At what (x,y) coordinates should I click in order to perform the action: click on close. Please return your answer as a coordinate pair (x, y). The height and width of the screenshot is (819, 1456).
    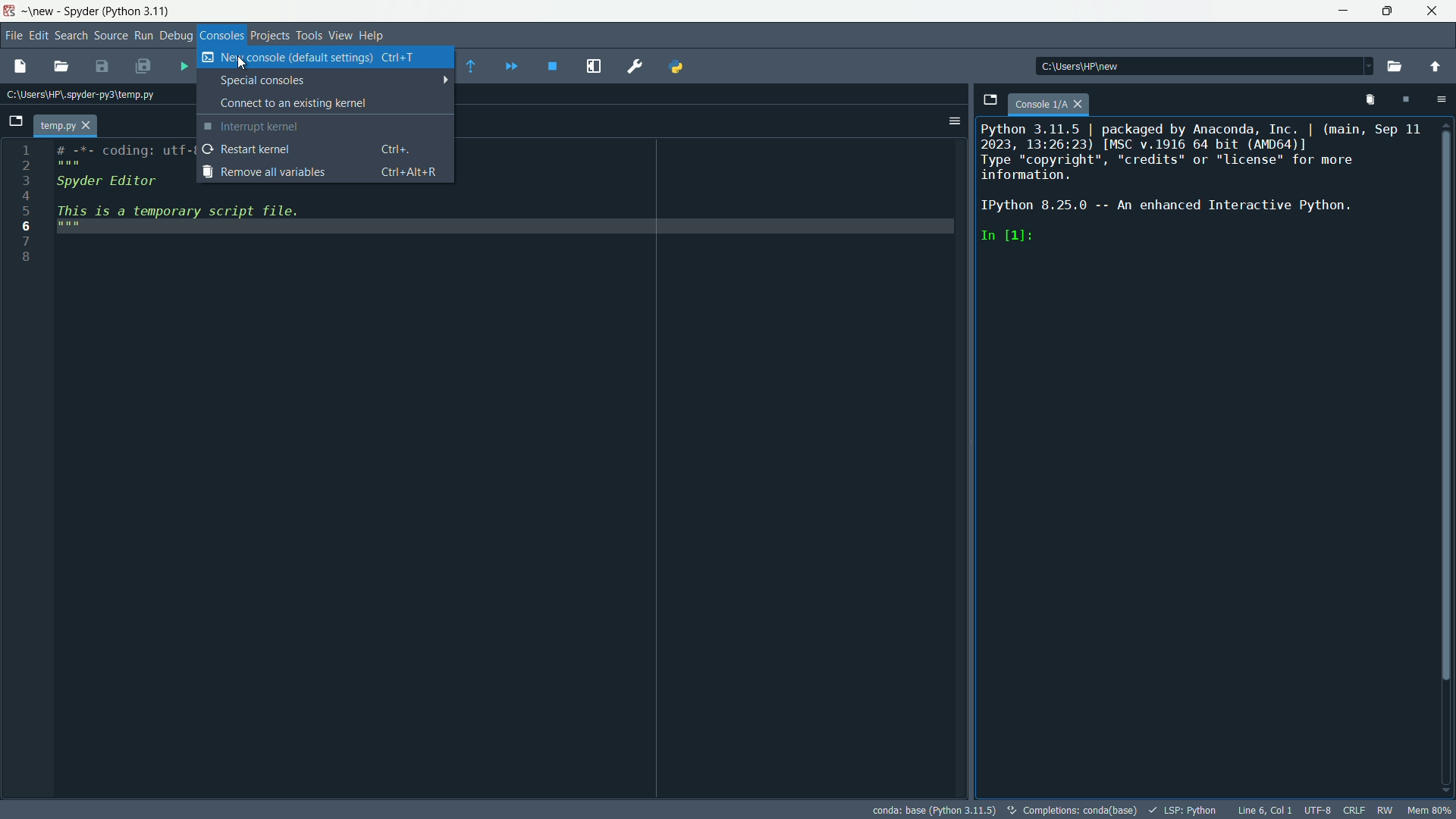
    Looking at the image, I should click on (89, 127).